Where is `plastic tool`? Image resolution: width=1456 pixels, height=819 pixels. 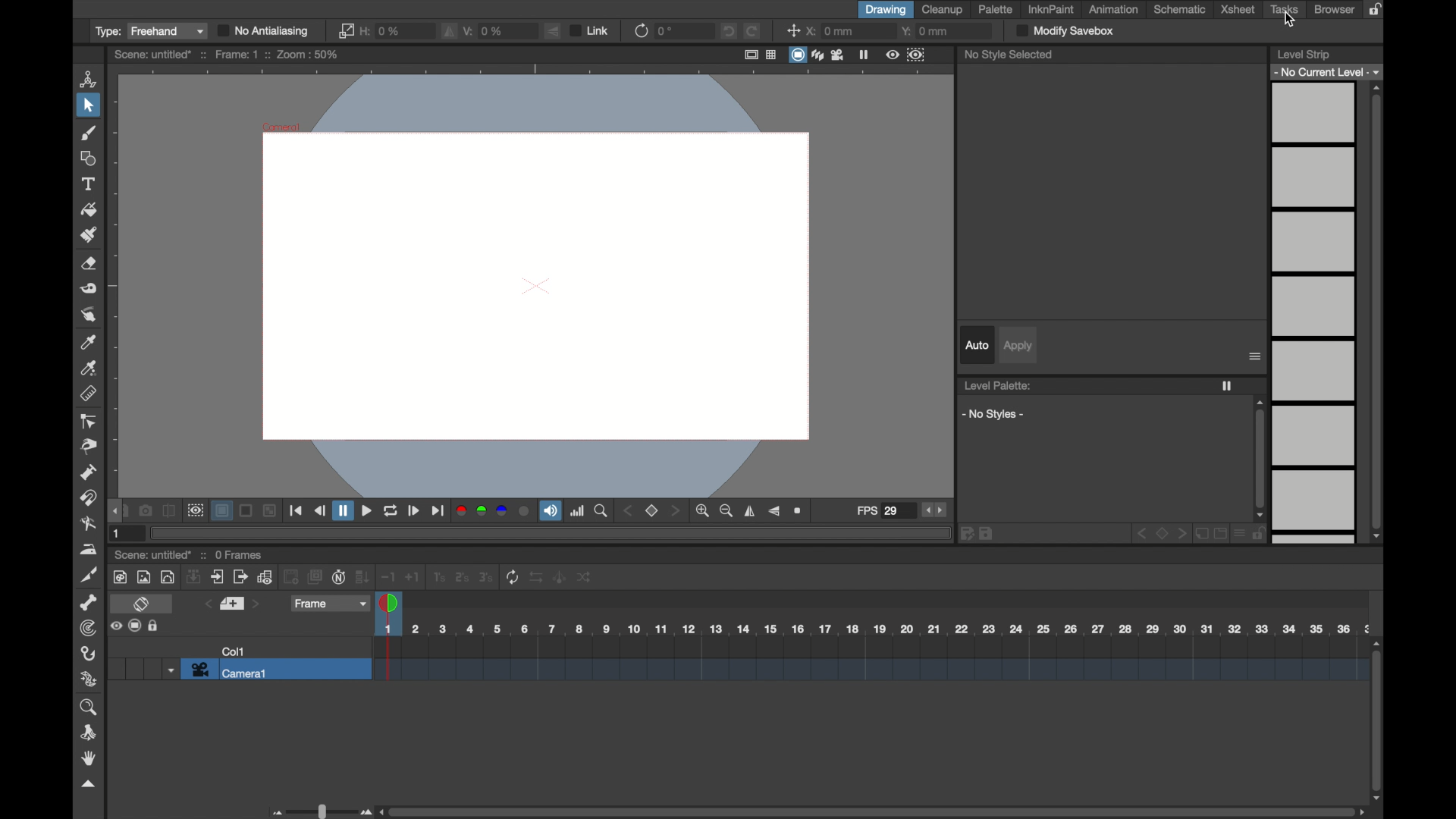
plastic tool is located at coordinates (89, 679).